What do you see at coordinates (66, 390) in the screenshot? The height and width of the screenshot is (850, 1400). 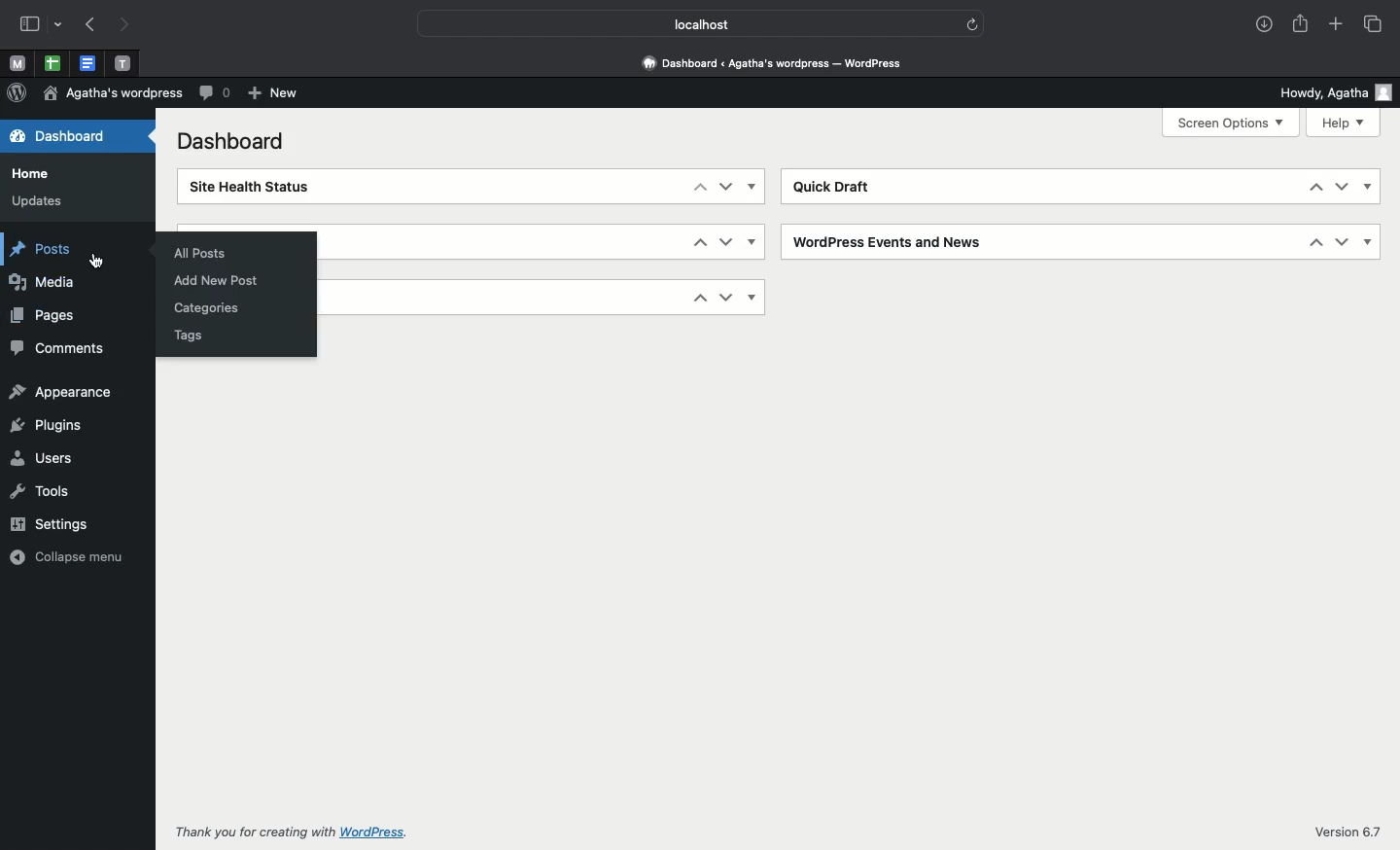 I see `Appearance` at bounding box center [66, 390].